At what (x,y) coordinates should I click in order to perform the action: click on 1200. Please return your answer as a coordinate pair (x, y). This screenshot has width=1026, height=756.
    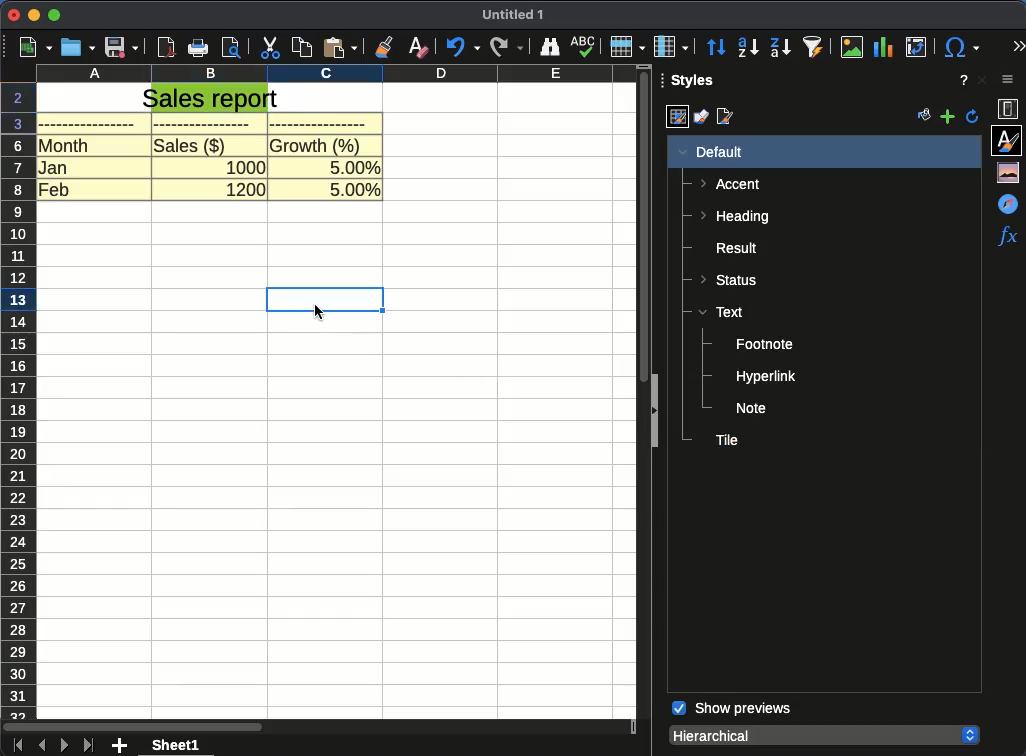
    Looking at the image, I should click on (244, 189).